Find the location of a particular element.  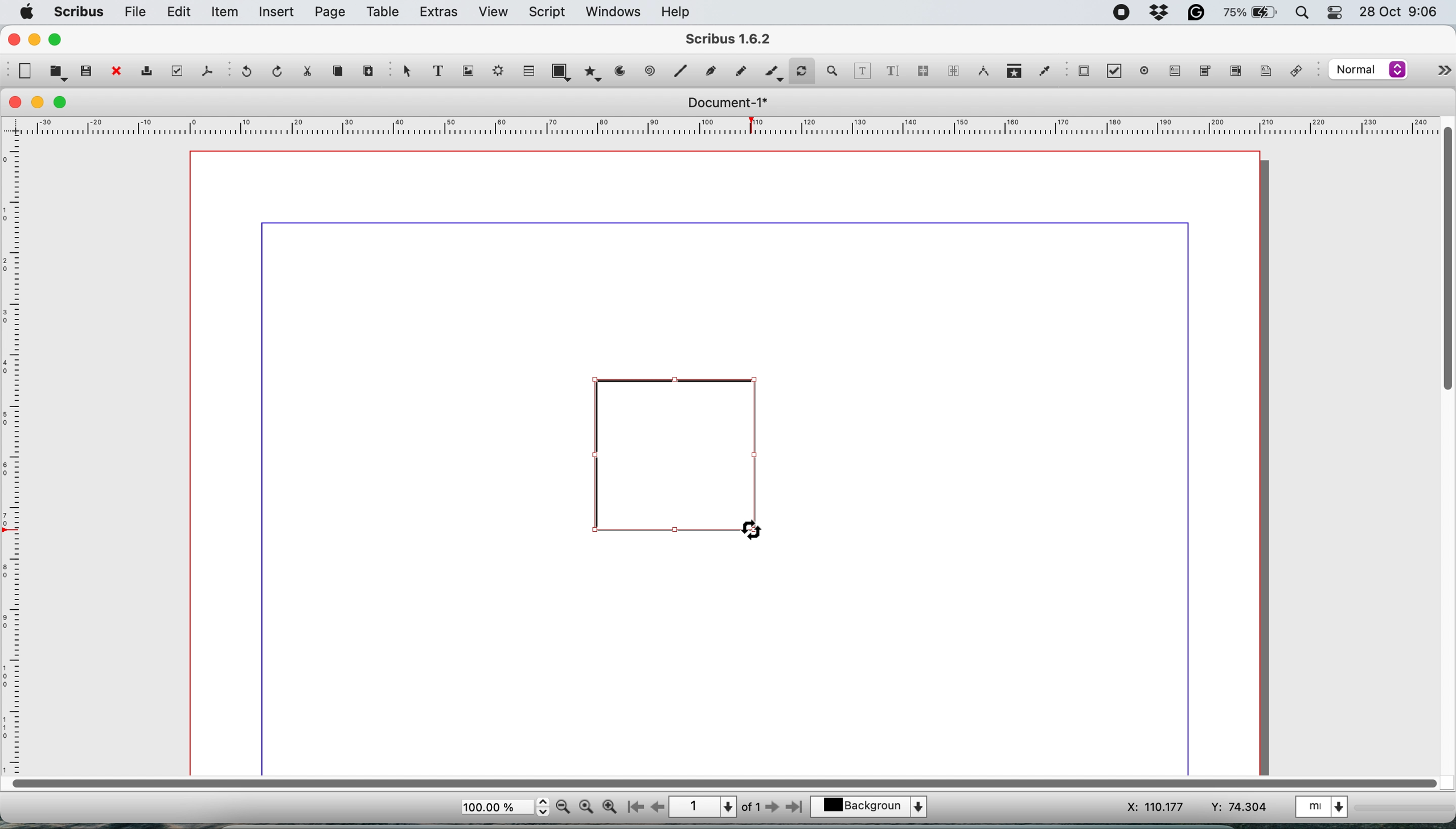

insert is located at coordinates (278, 13).